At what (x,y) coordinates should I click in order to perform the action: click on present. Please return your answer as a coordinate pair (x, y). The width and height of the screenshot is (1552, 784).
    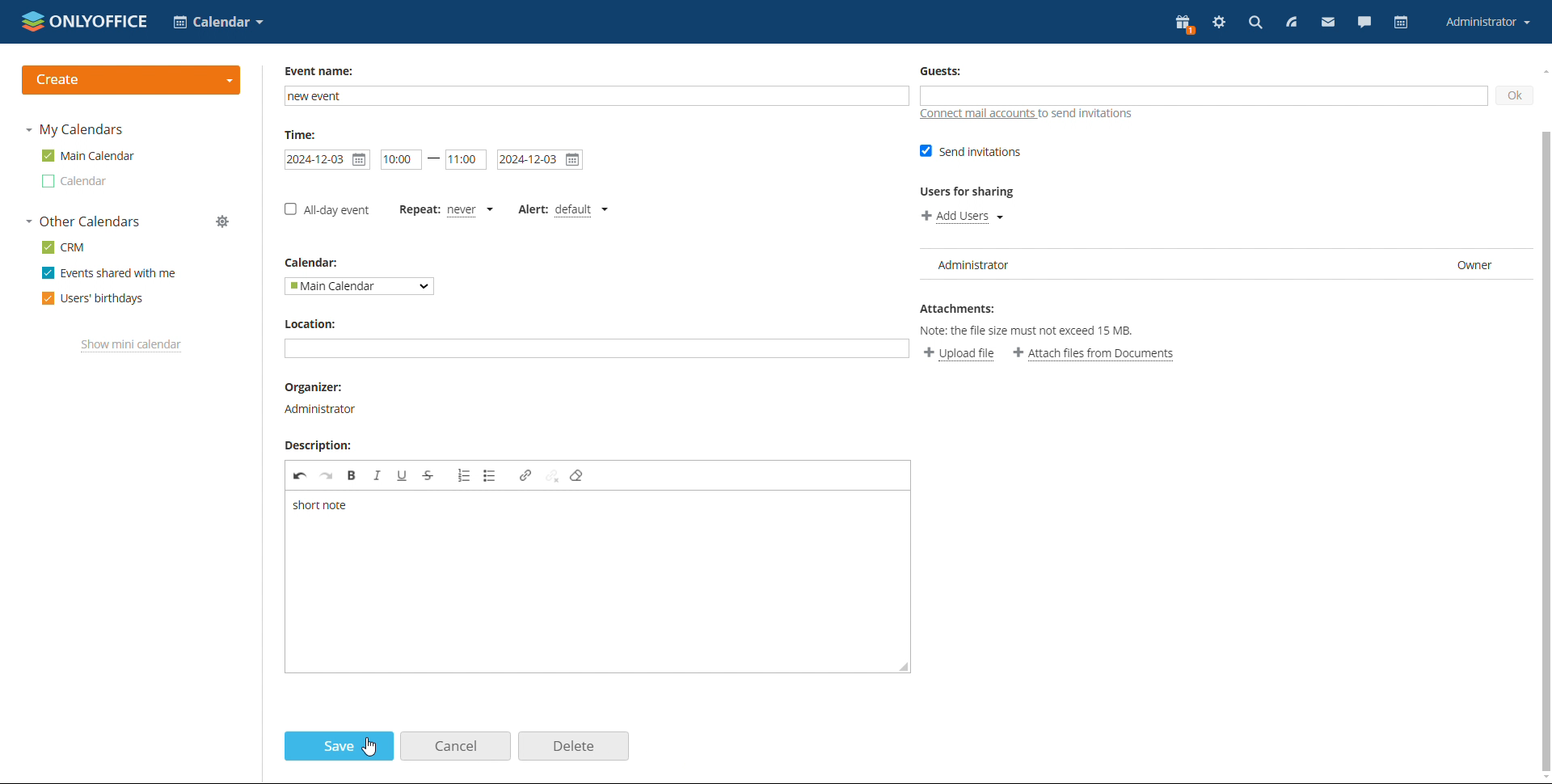
    Looking at the image, I should click on (1184, 25).